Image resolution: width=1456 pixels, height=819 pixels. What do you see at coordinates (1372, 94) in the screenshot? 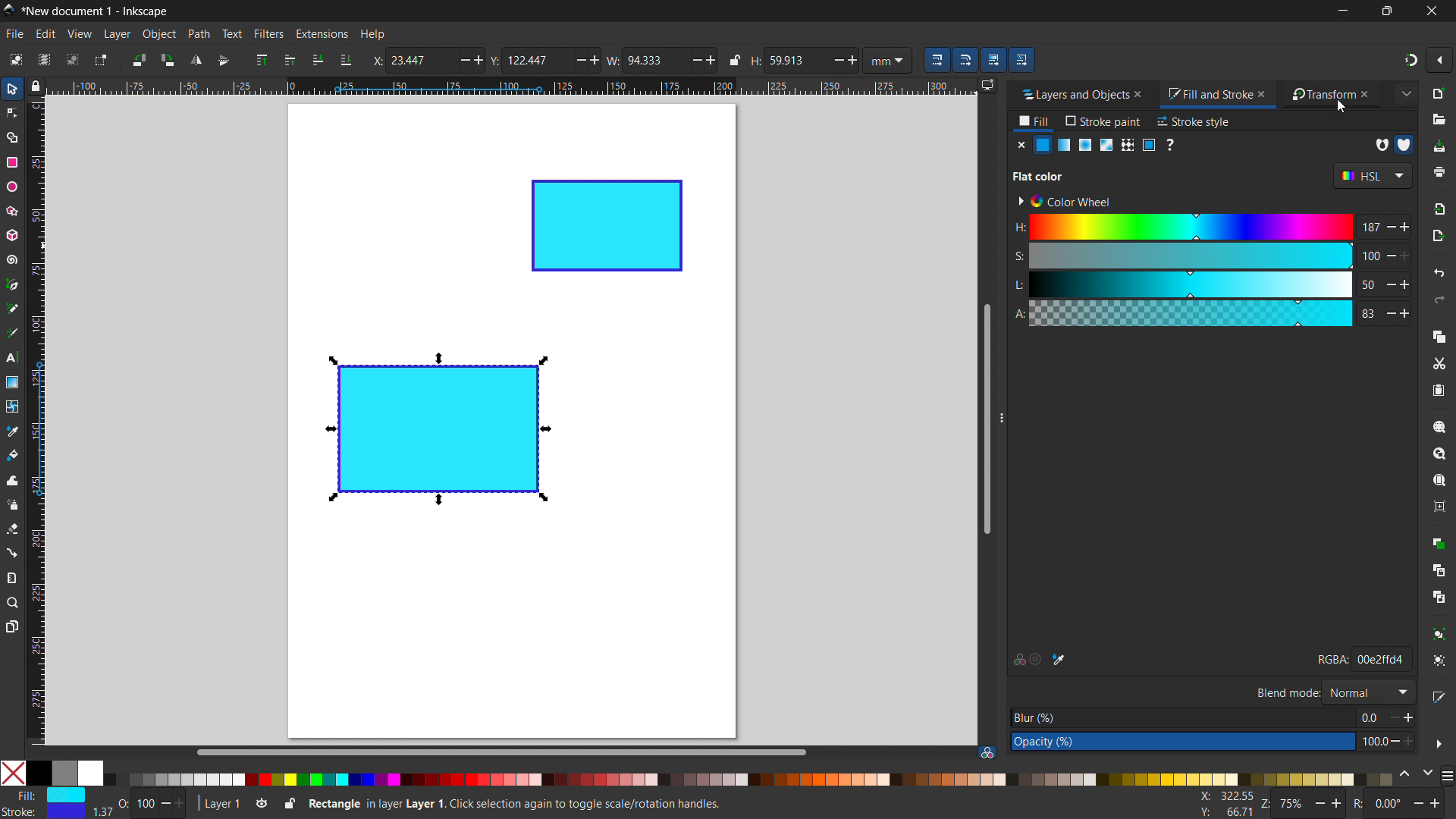
I see `close` at bounding box center [1372, 94].